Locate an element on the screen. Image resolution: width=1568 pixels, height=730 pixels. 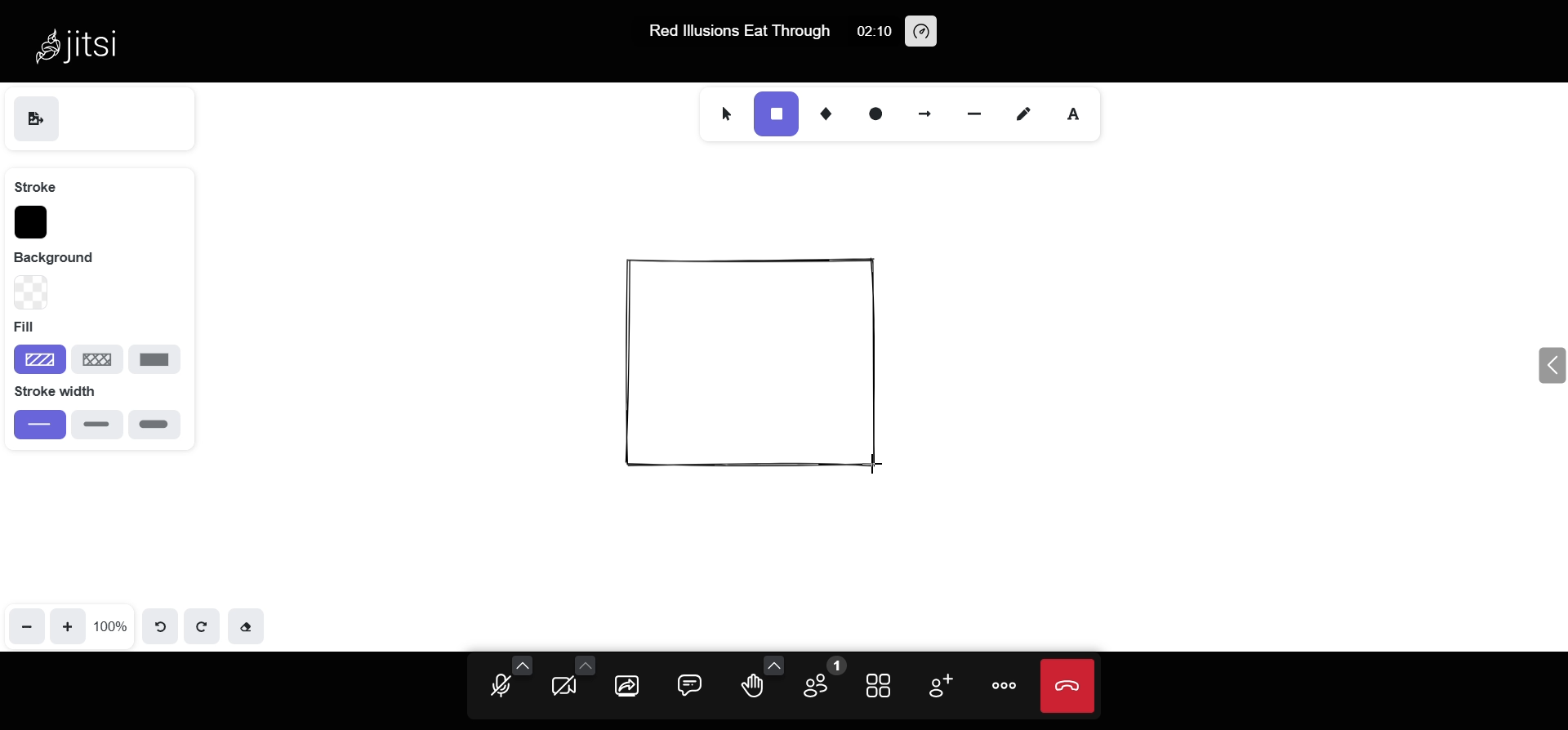
share screen is located at coordinates (629, 686).